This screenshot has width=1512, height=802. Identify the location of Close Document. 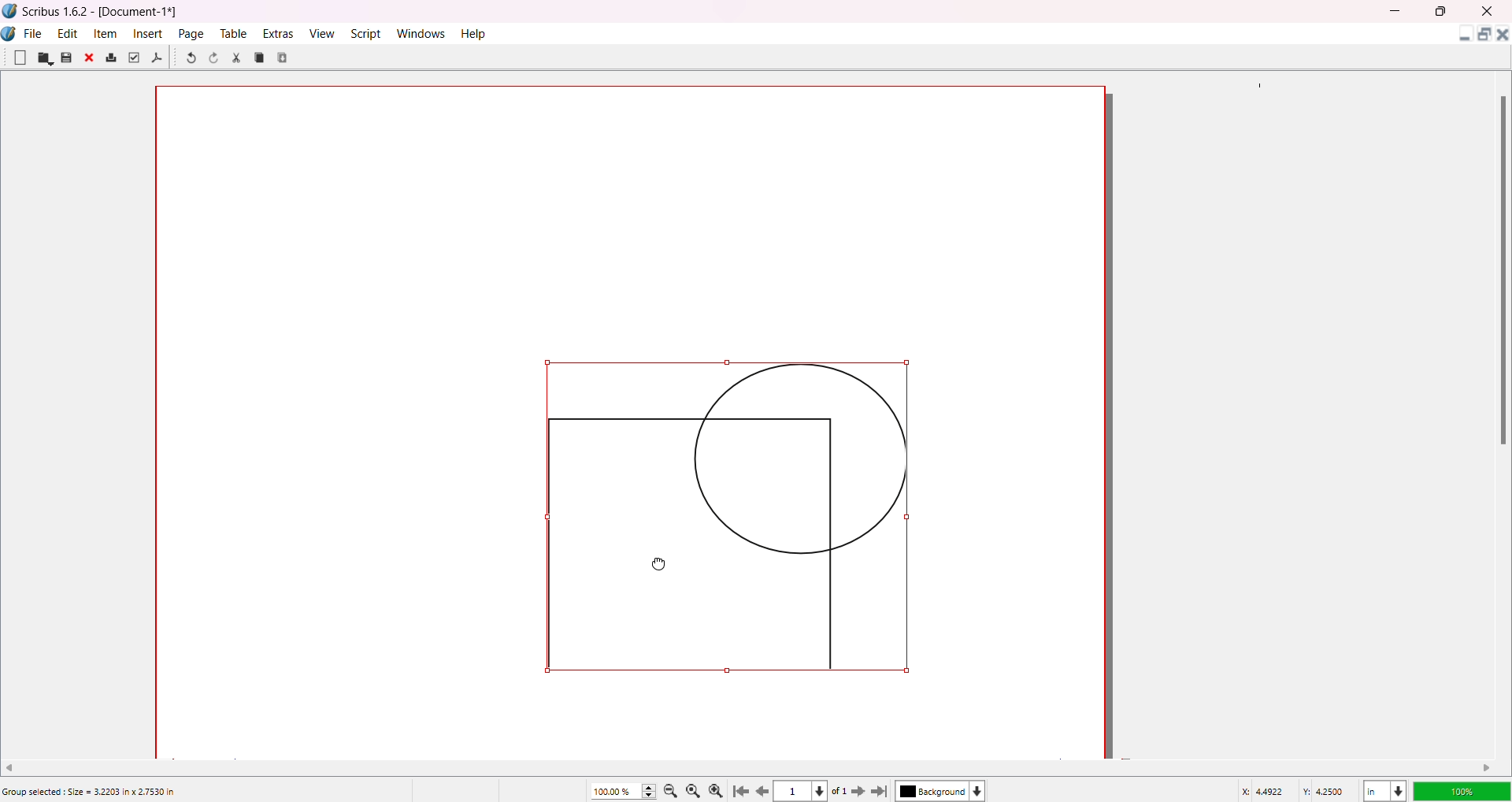
(1503, 37).